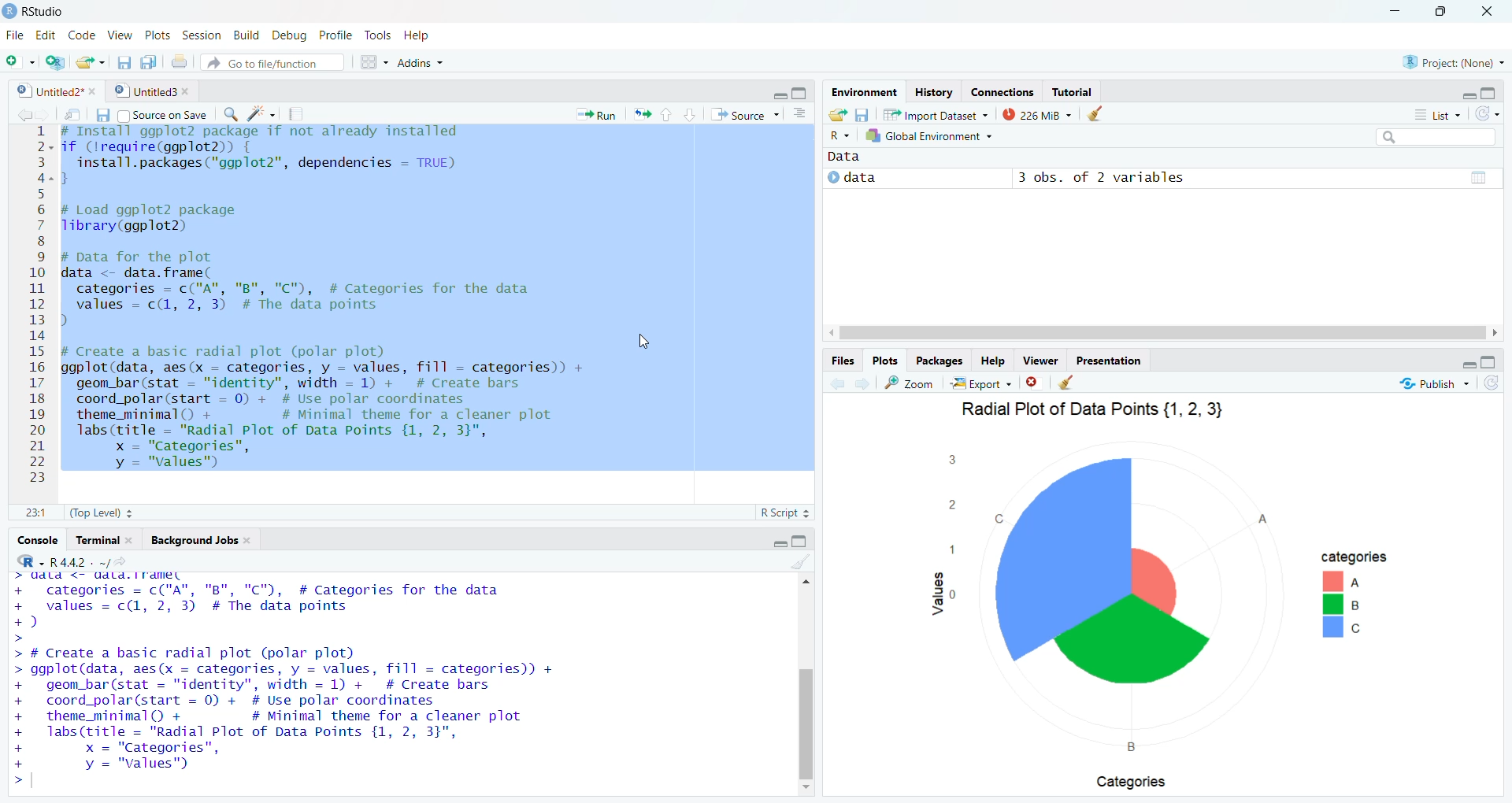  Describe the element at coordinates (910, 383) in the screenshot. I see `Zoom` at that location.